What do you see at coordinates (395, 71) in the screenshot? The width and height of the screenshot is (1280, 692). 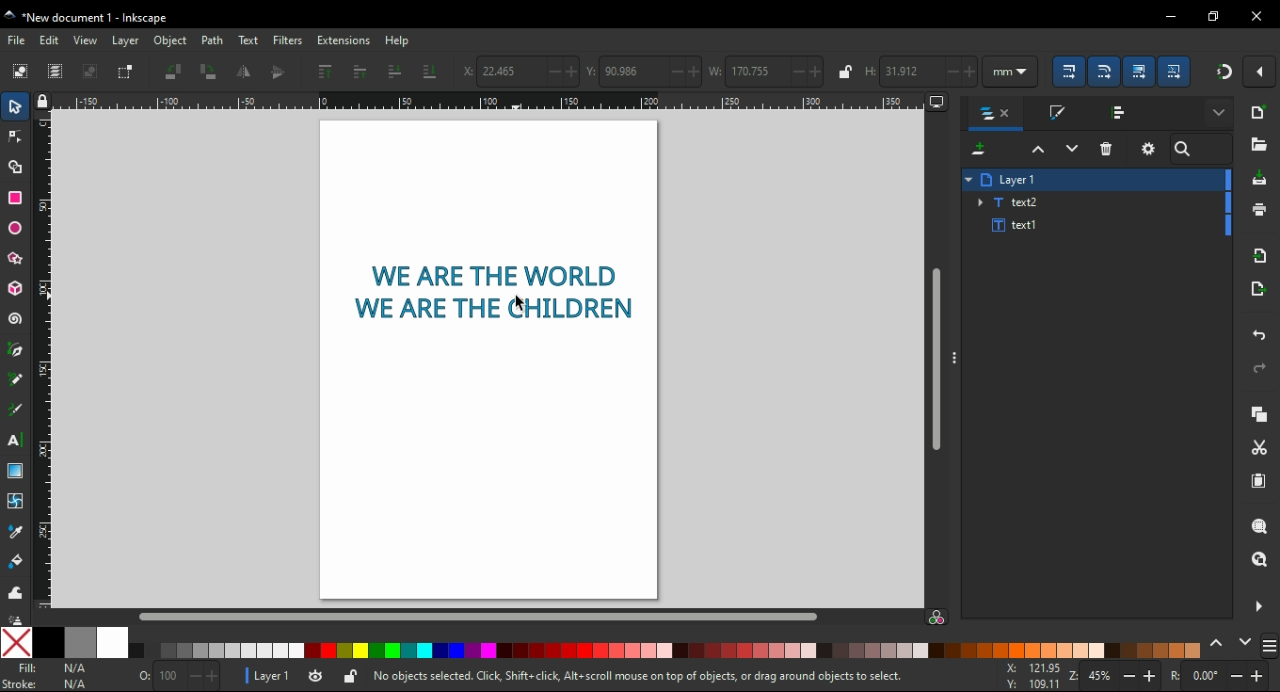 I see `lower` at bounding box center [395, 71].